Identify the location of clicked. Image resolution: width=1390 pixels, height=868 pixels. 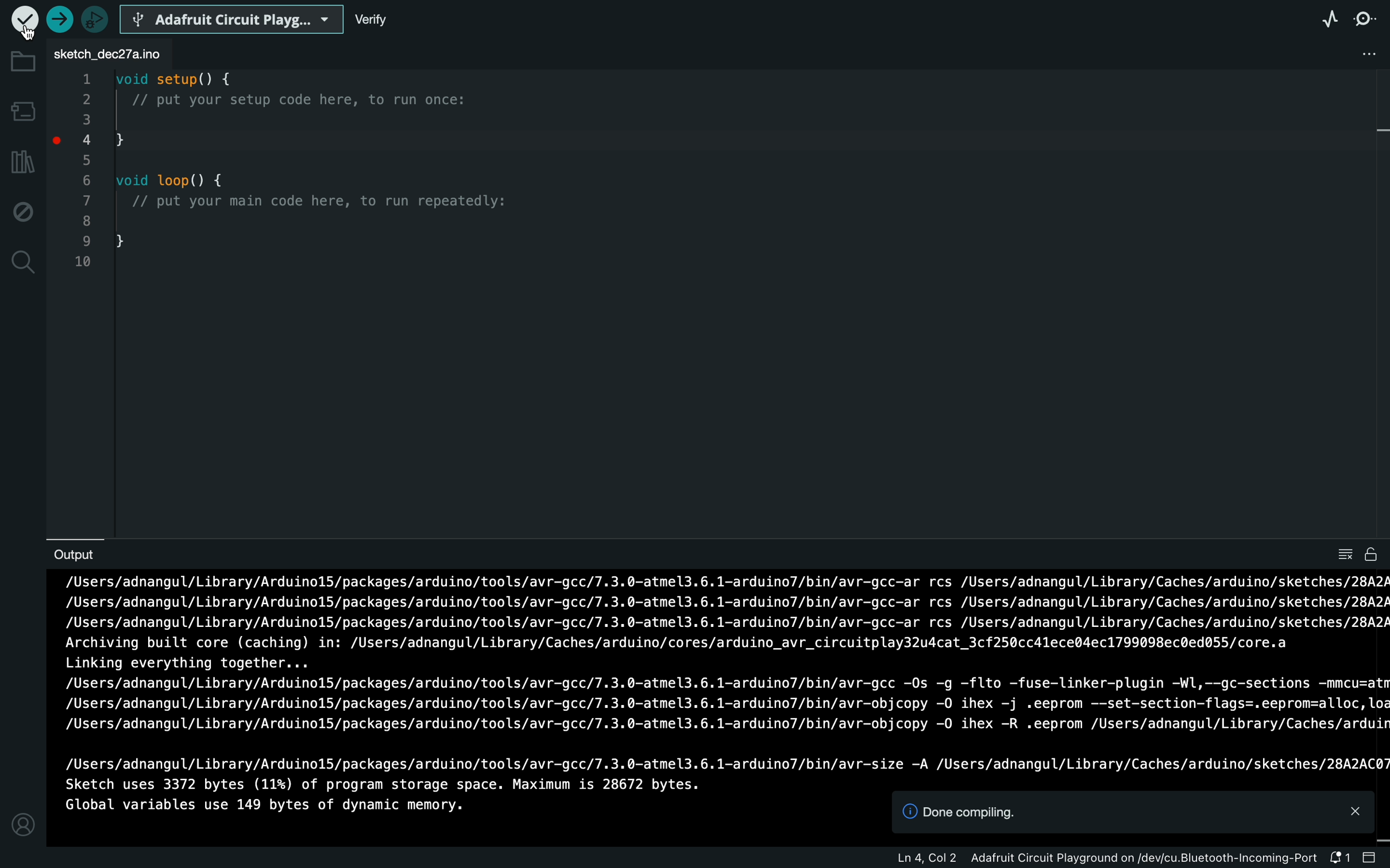
(25, 23).